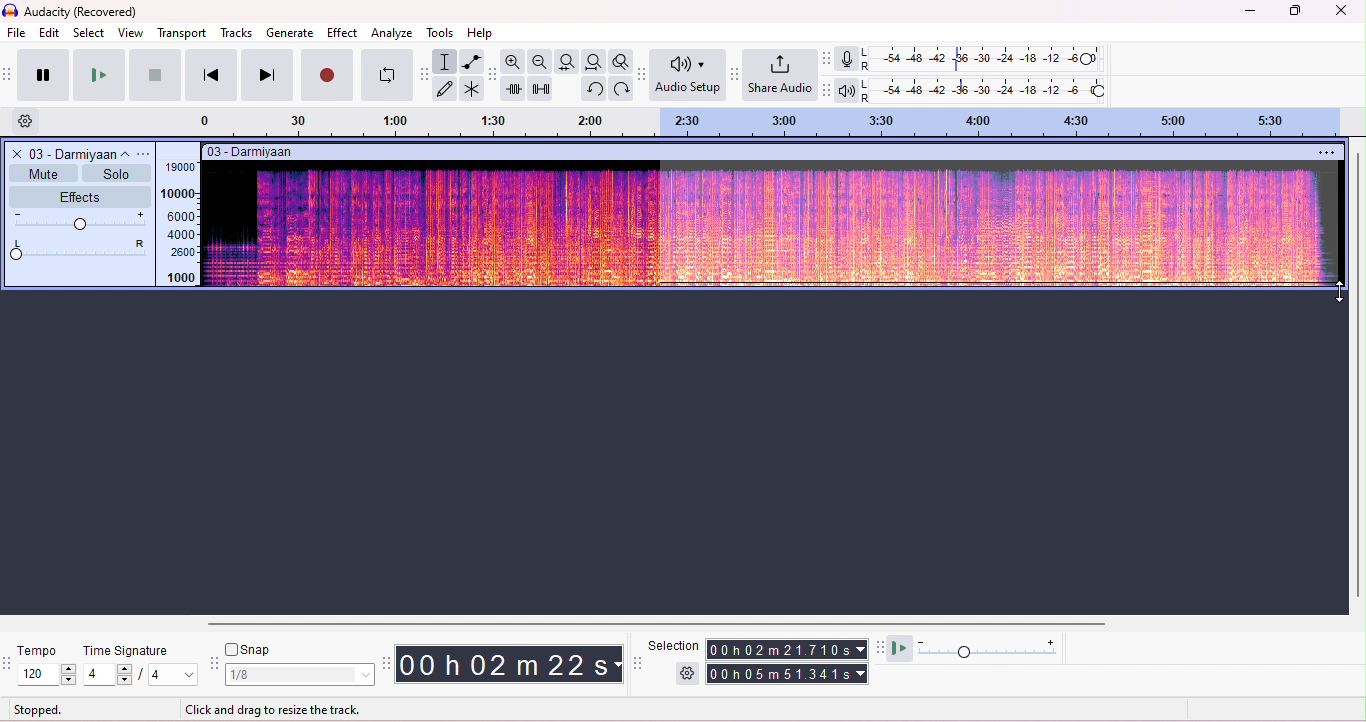  Describe the element at coordinates (236, 33) in the screenshot. I see `tracks` at that location.